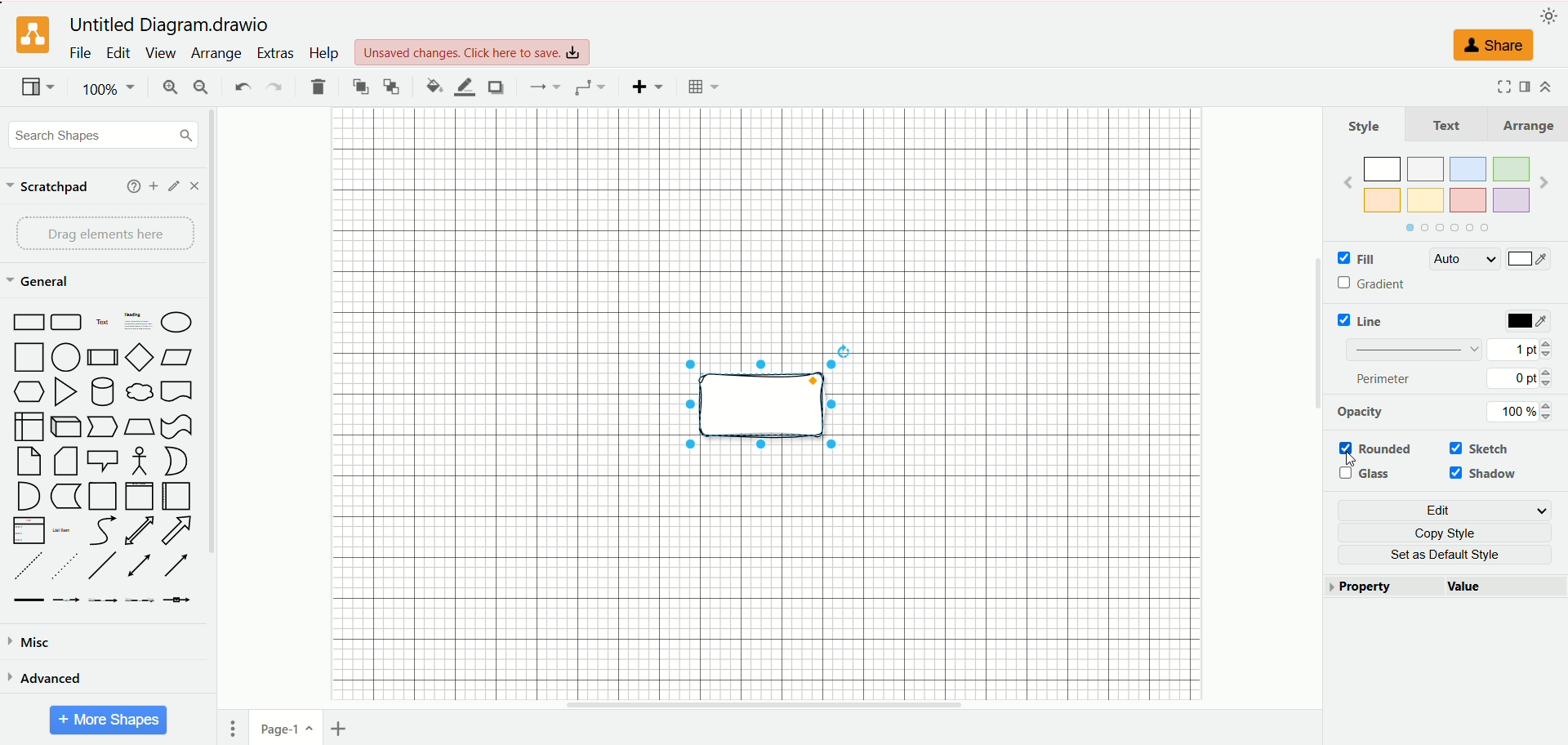  I want to click on color options navigate, so click(1444, 228).